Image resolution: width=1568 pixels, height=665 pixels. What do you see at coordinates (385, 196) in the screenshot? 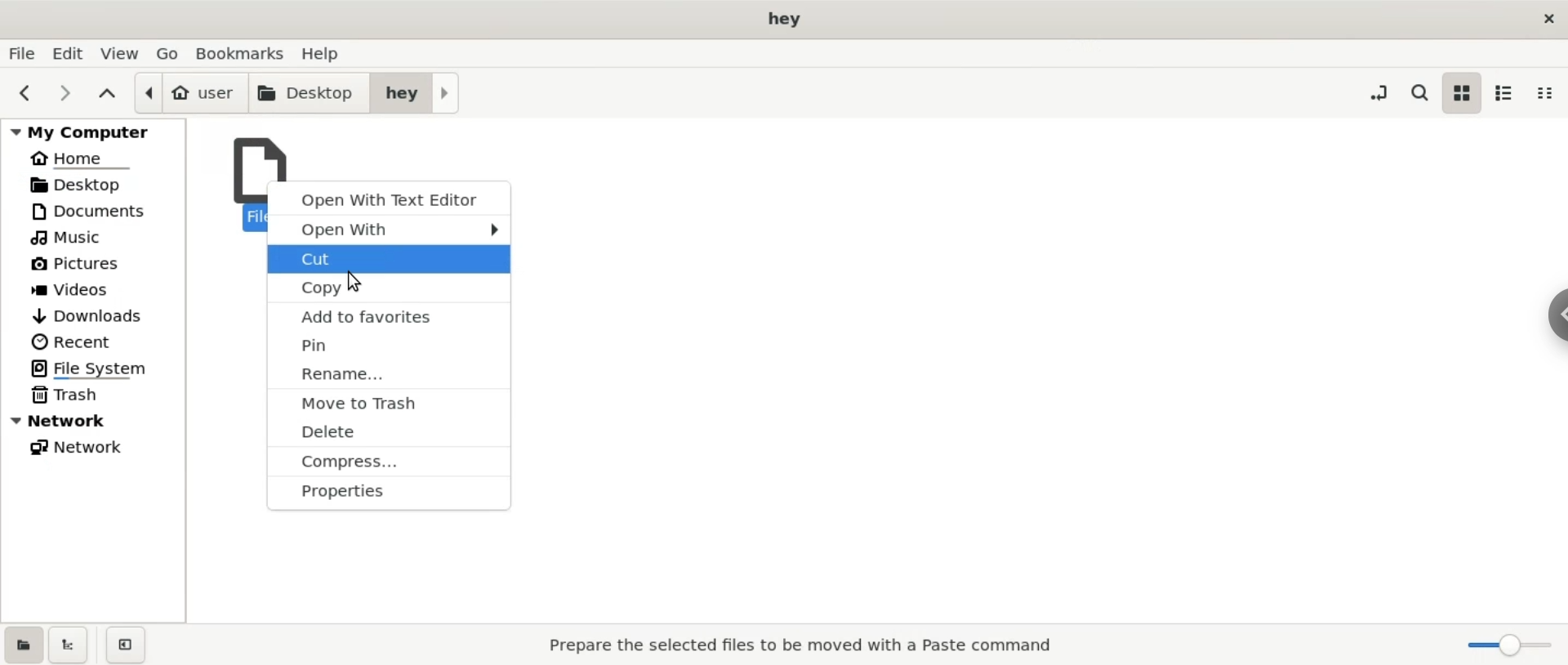
I see `oprn with text editor` at bounding box center [385, 196].